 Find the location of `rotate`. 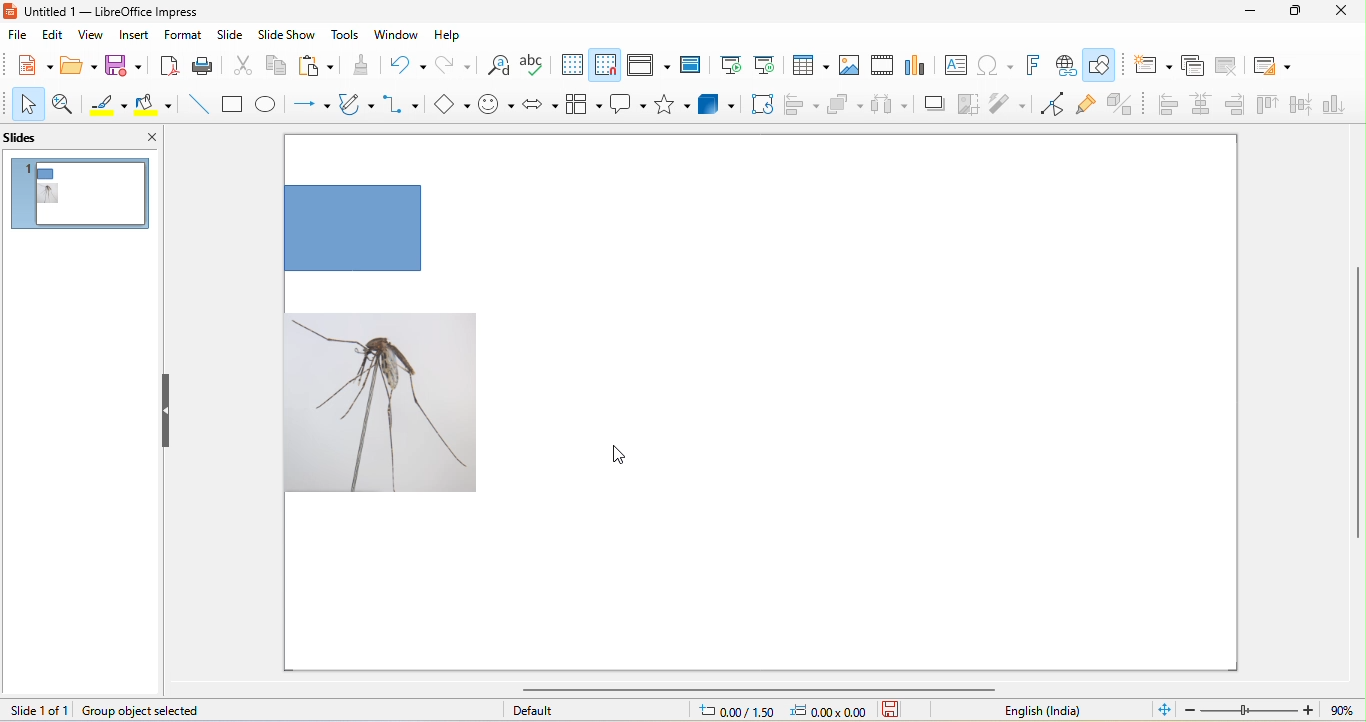

rotate is located at coordinates (762, 106).